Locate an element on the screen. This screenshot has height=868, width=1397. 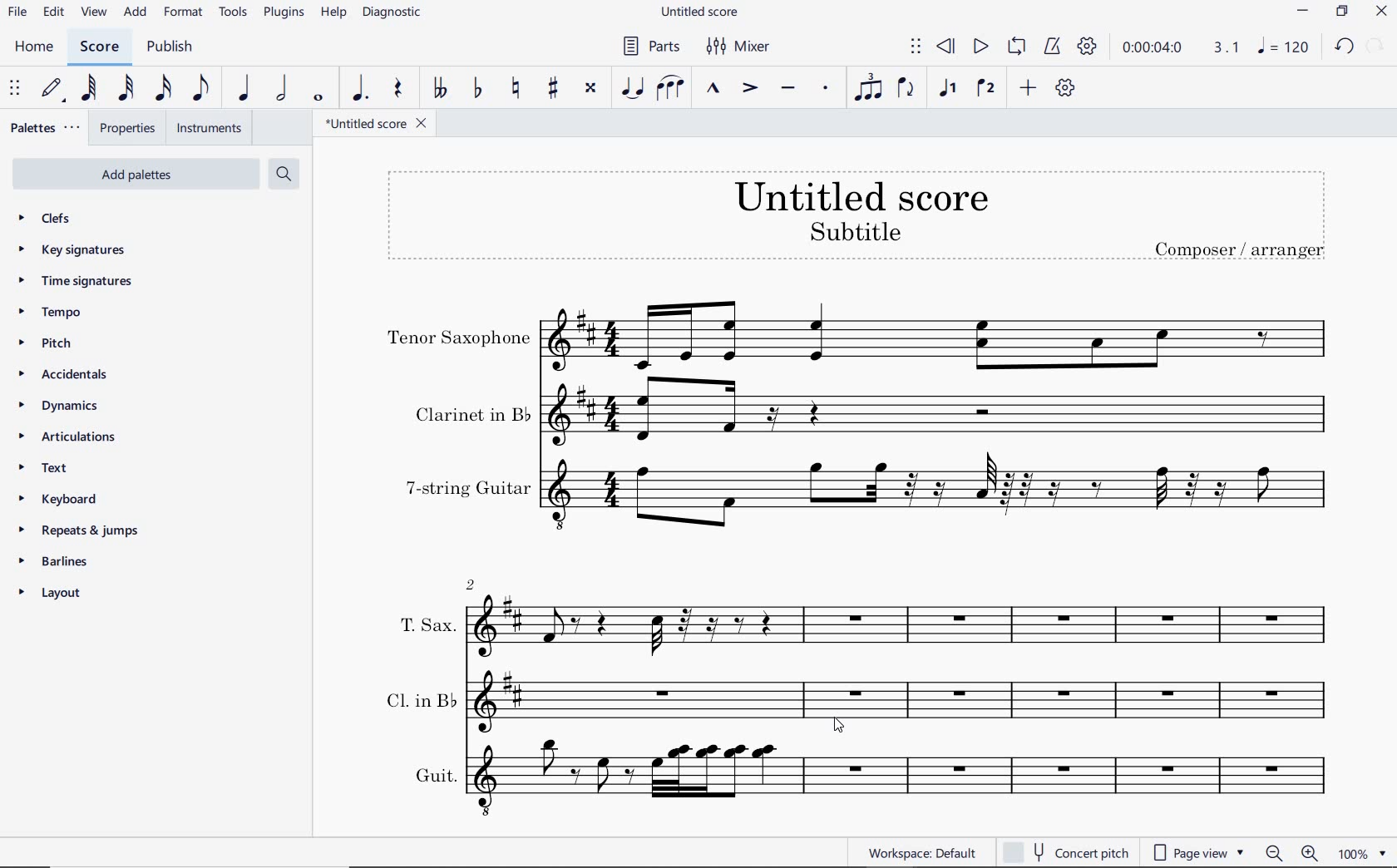
DYNAMICS is located at coordinates (62, 408).